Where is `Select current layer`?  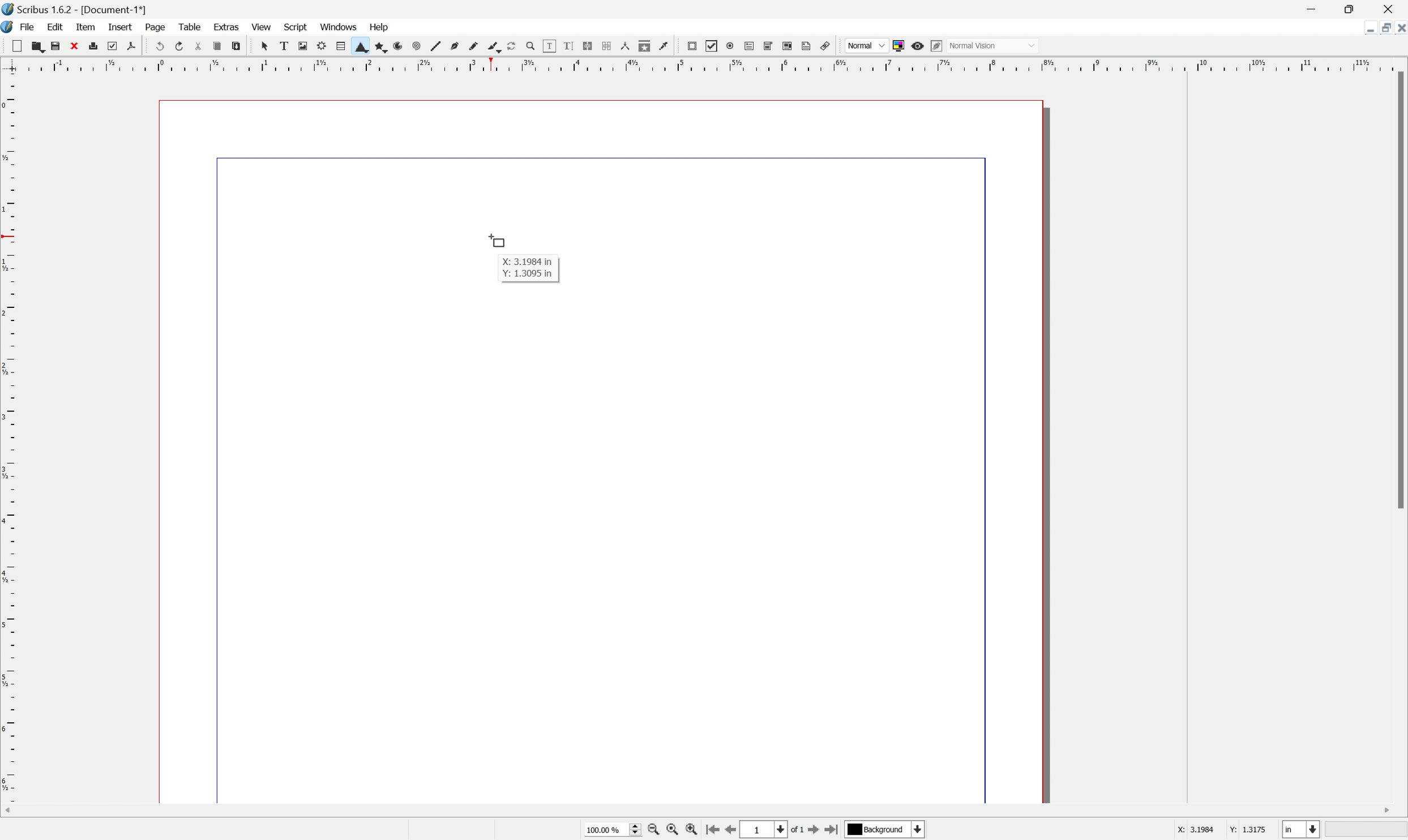
Select current layer is located at coordinates (920, 830).